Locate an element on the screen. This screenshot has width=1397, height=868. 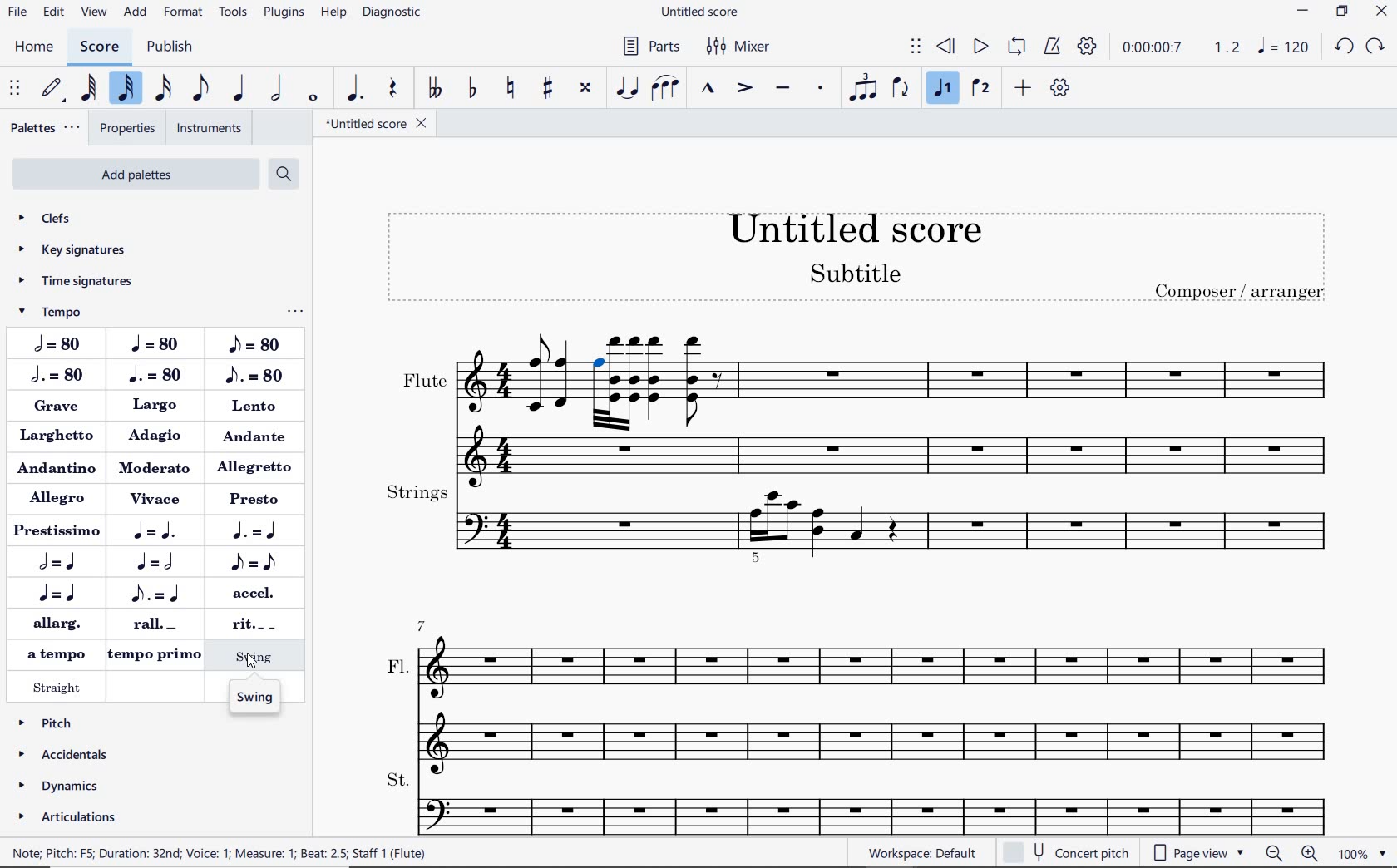
view is located at coordinates (95, 13).